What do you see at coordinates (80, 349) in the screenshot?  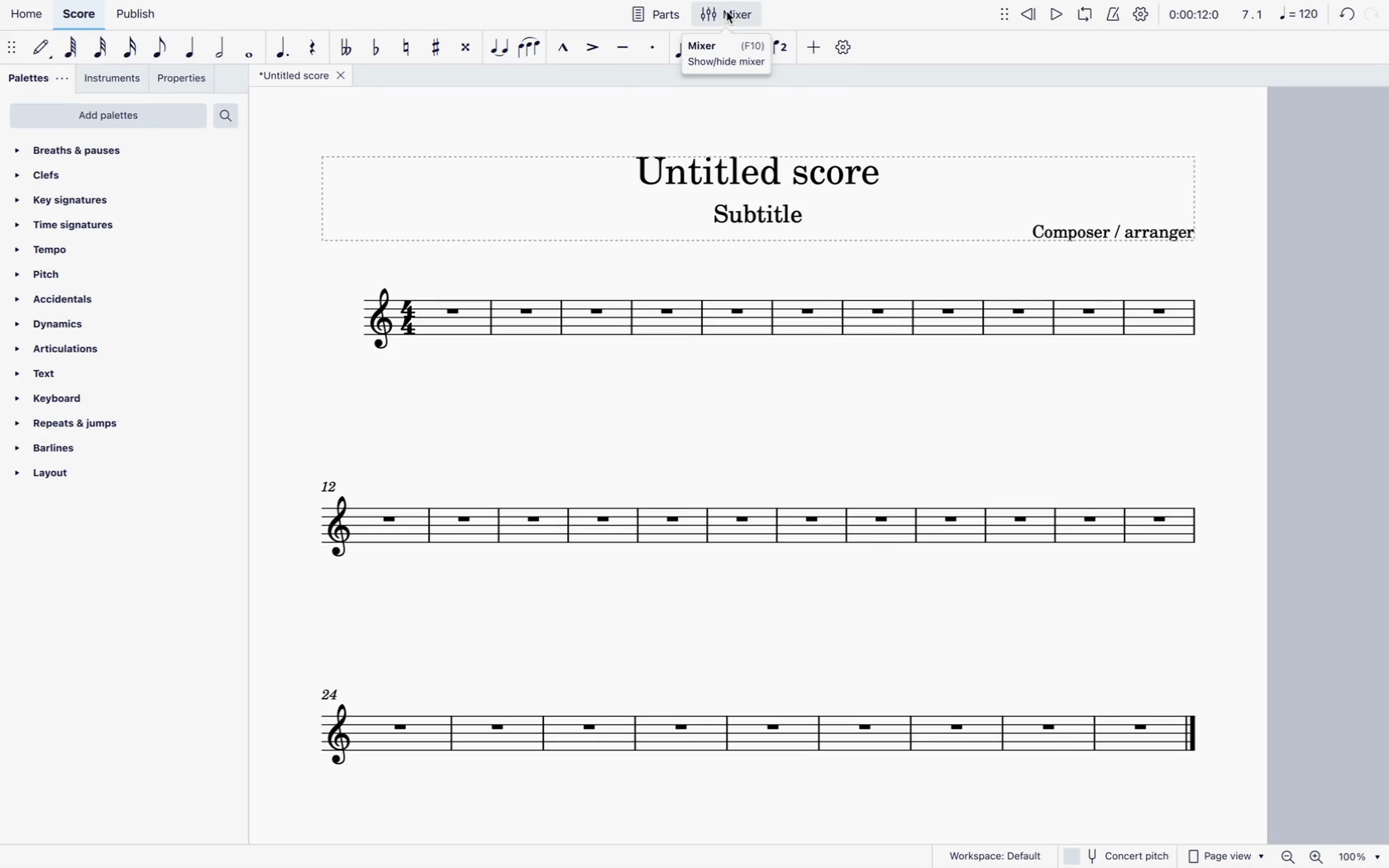 I see `articulations` at bounding box center [80, 349].